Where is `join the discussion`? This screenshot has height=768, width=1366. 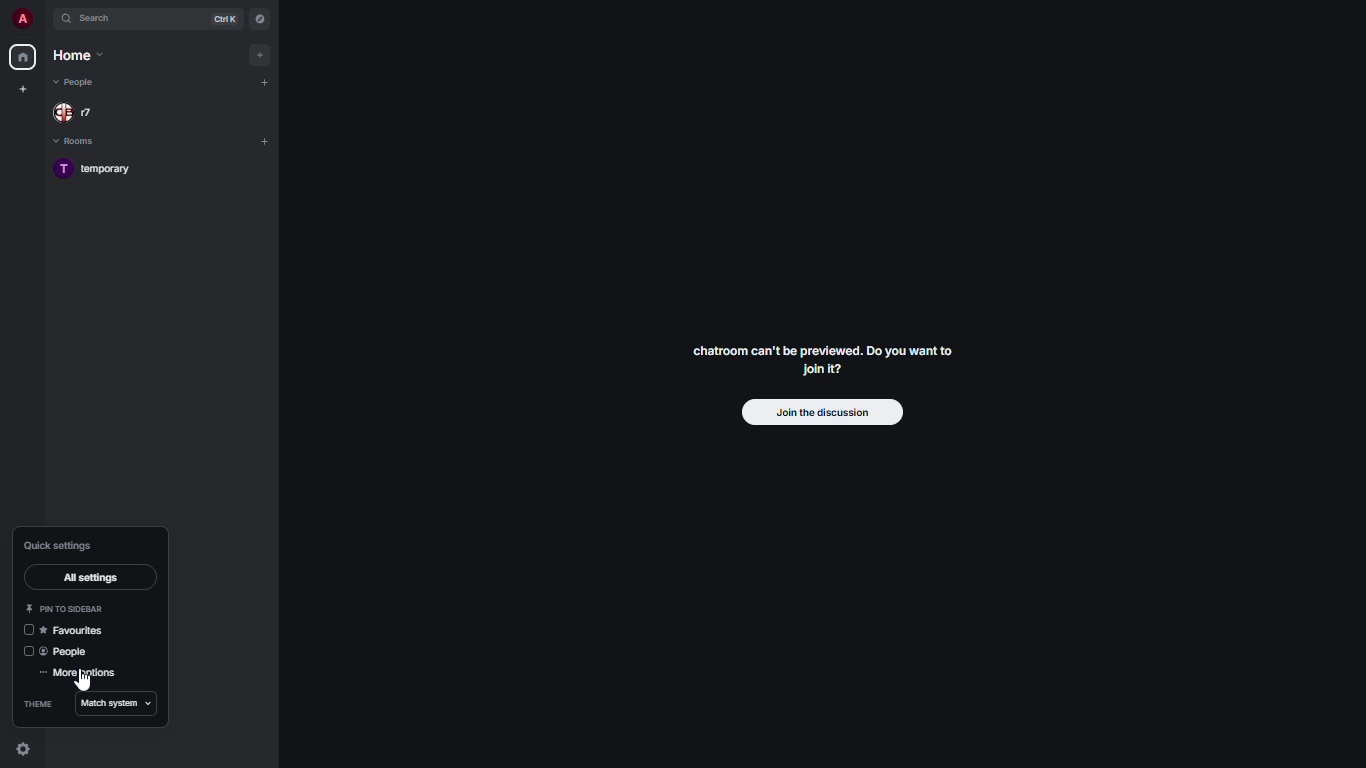 join the discussion is located at coordinates (819, 411).